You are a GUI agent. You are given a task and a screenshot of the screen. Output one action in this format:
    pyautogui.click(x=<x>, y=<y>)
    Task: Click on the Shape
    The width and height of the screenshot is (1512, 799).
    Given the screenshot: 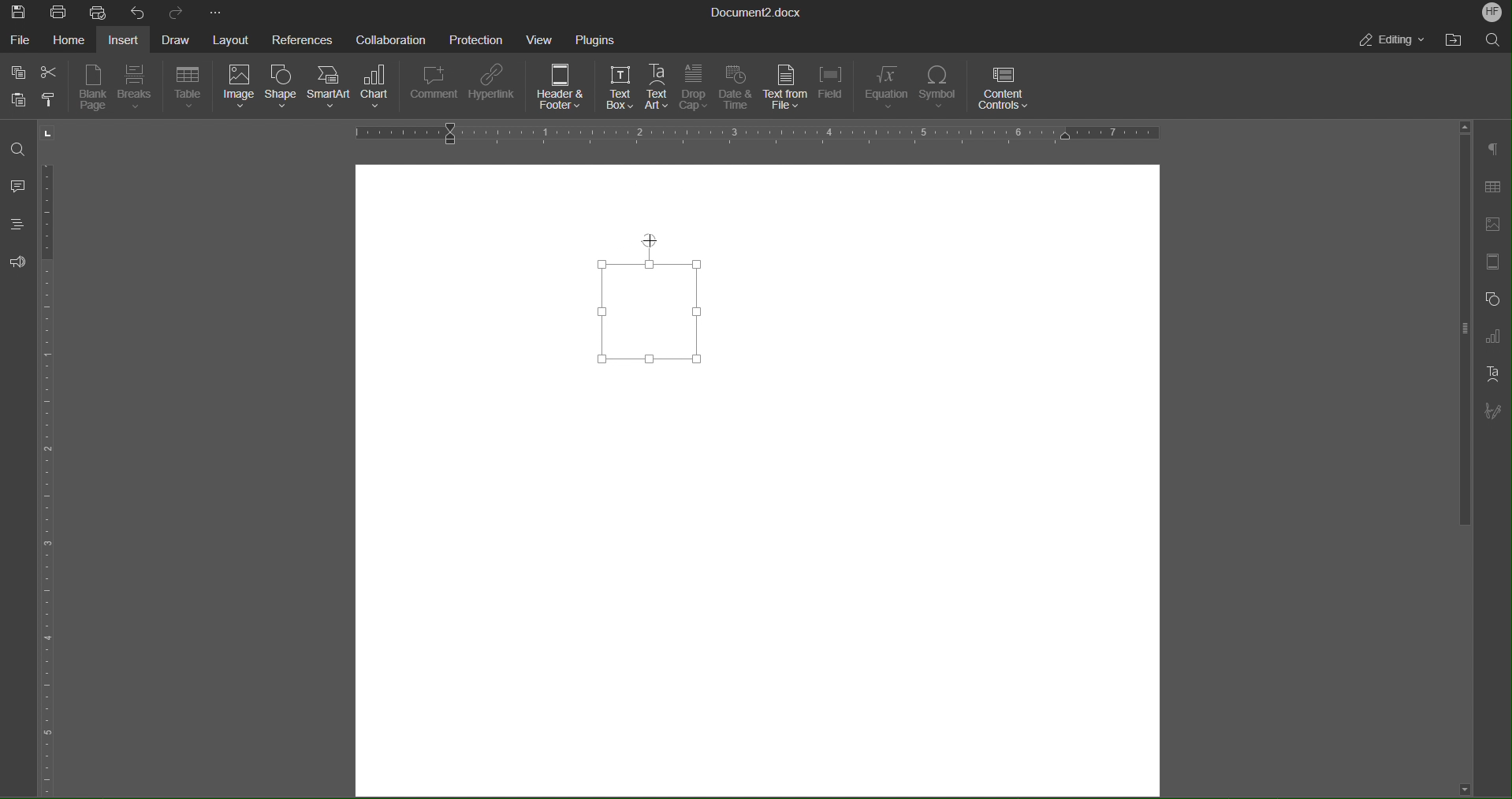 What is the action you would take?
    pyautogui.click(x=283, y=90)
    